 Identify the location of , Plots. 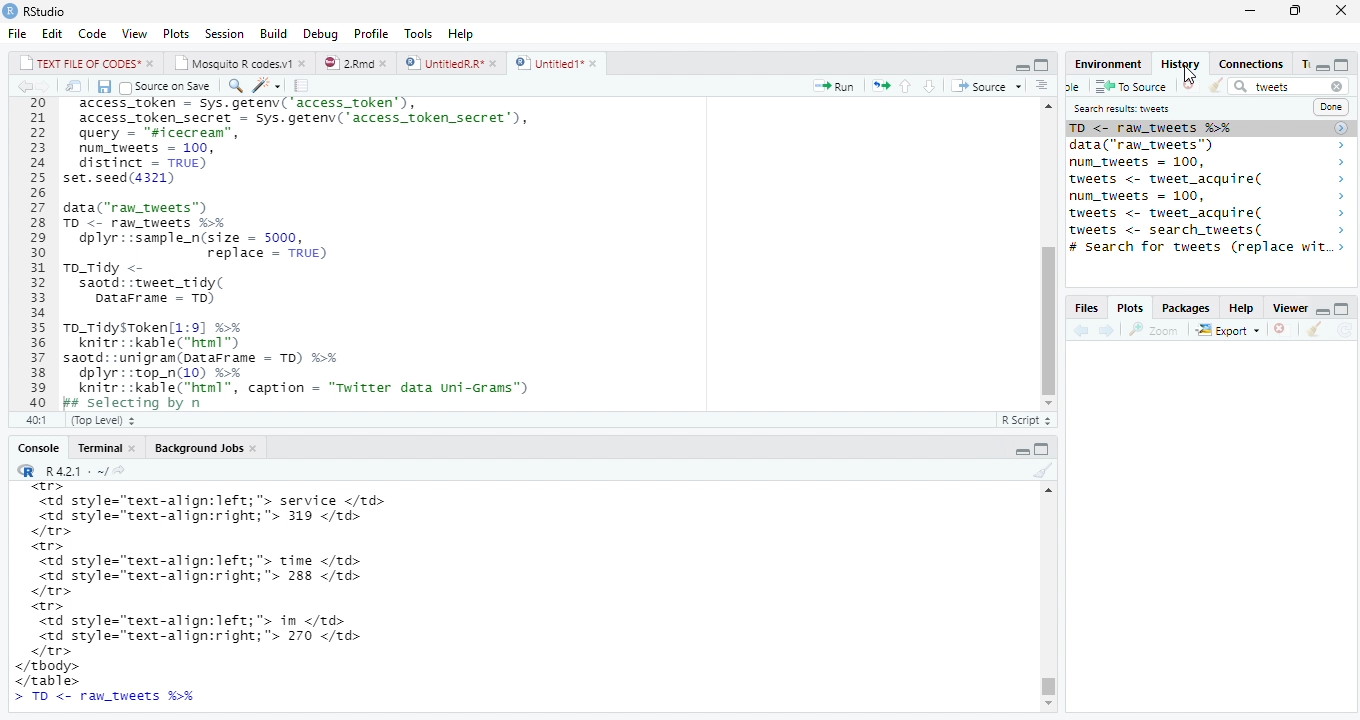
(1130, 308).